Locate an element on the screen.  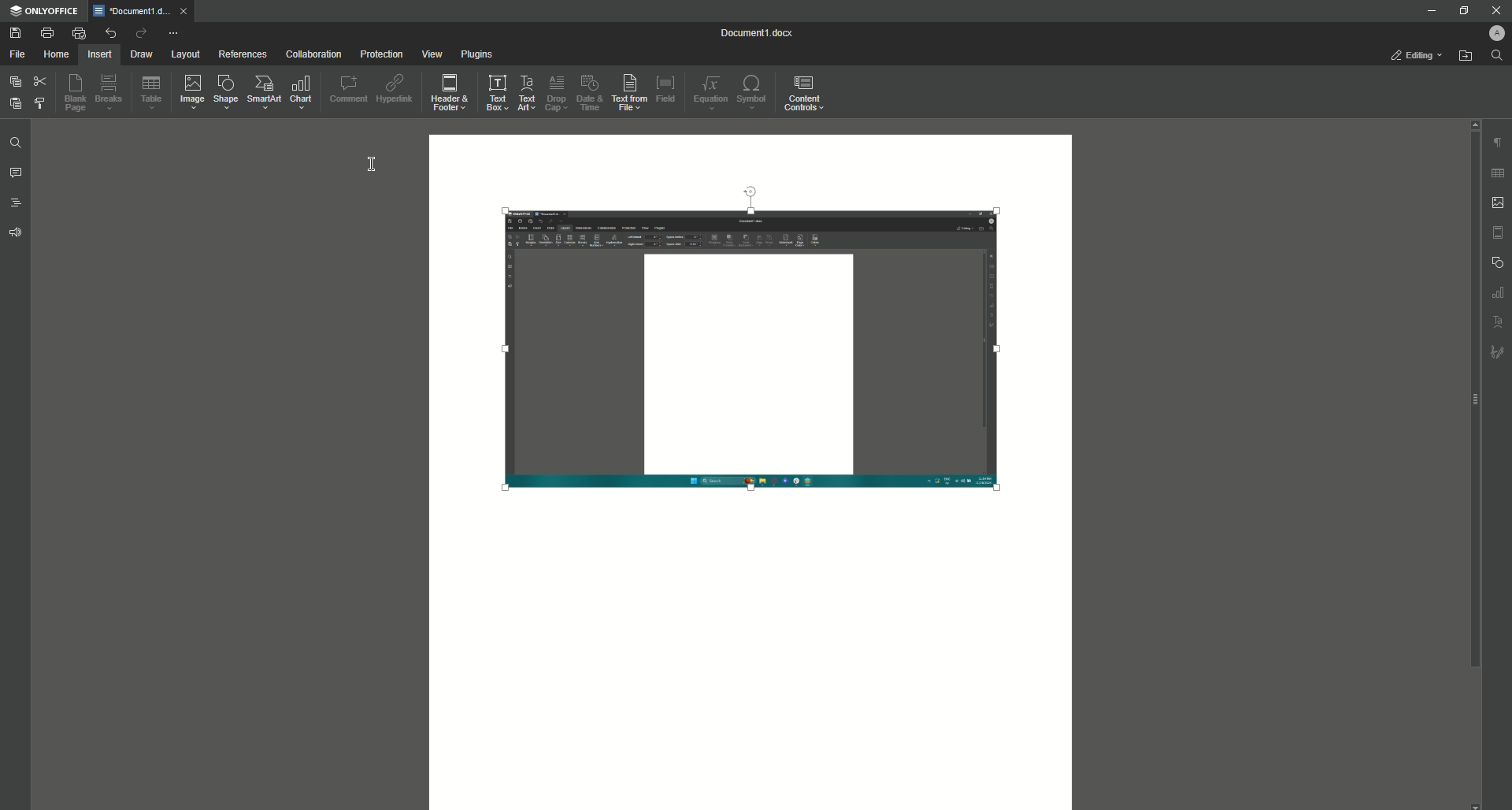
Collaboration is located at coordinates (311, 55).